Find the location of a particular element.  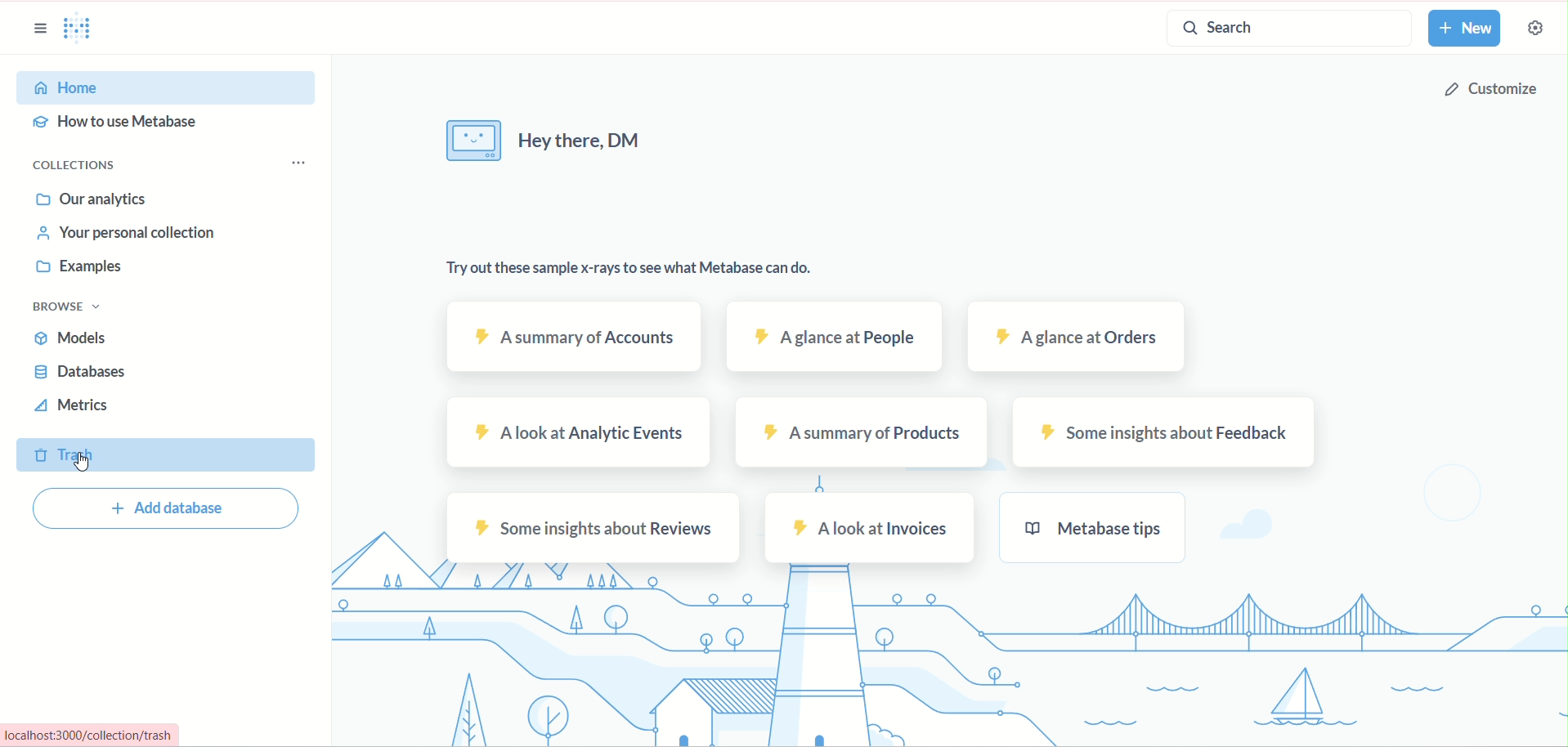

your personal collection is located at coordinates (120, 233).